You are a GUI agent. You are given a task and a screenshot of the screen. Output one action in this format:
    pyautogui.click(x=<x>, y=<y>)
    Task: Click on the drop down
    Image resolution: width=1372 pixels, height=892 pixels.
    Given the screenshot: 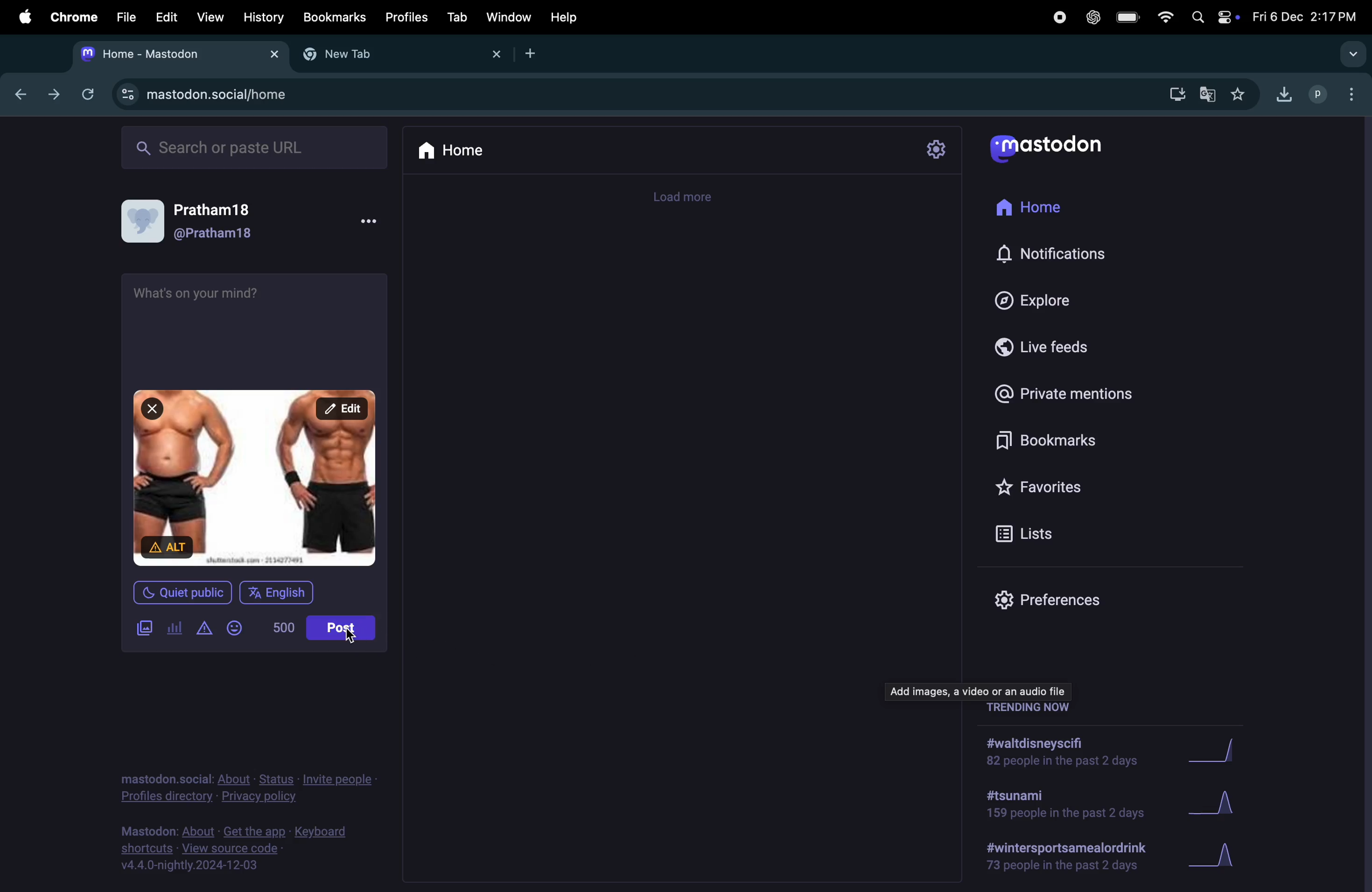 What is the action you would take?
    pyautogui.click(x=1355, y=55)
    